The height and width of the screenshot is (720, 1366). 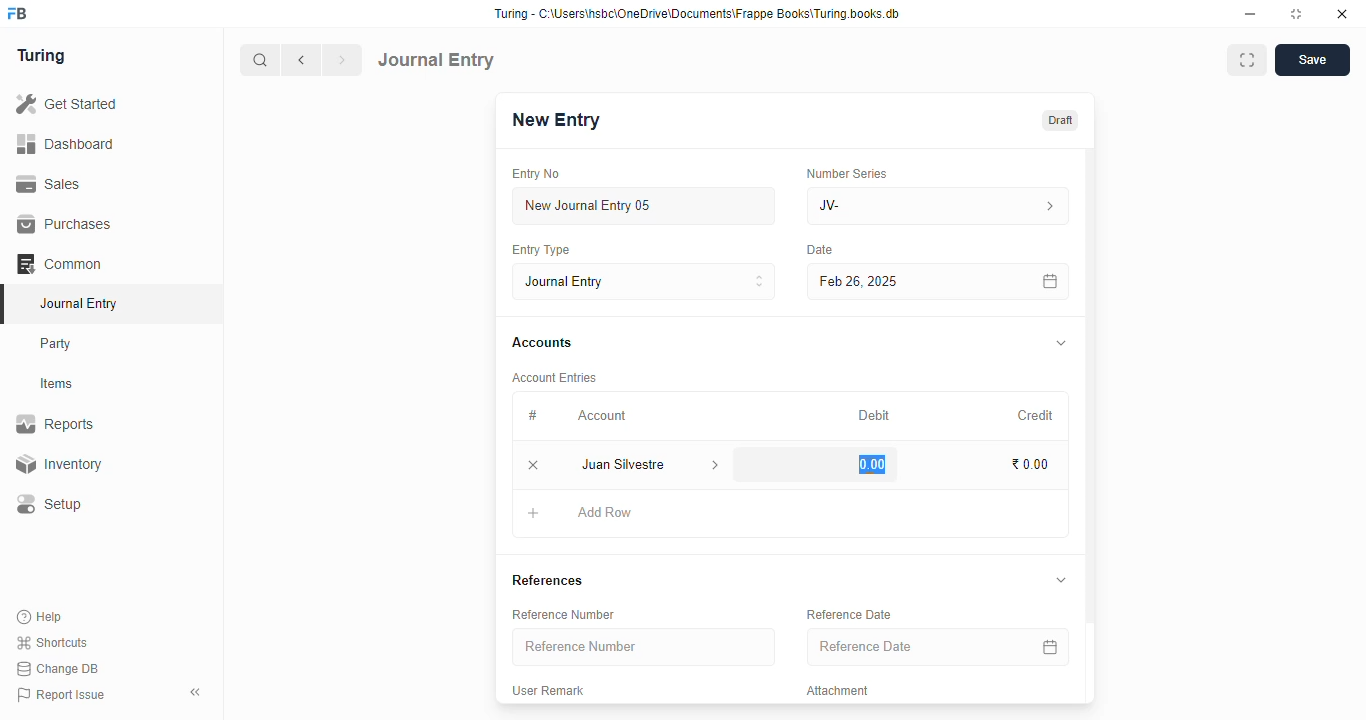 I want to click on journal entry, so click(x=78, y=303).